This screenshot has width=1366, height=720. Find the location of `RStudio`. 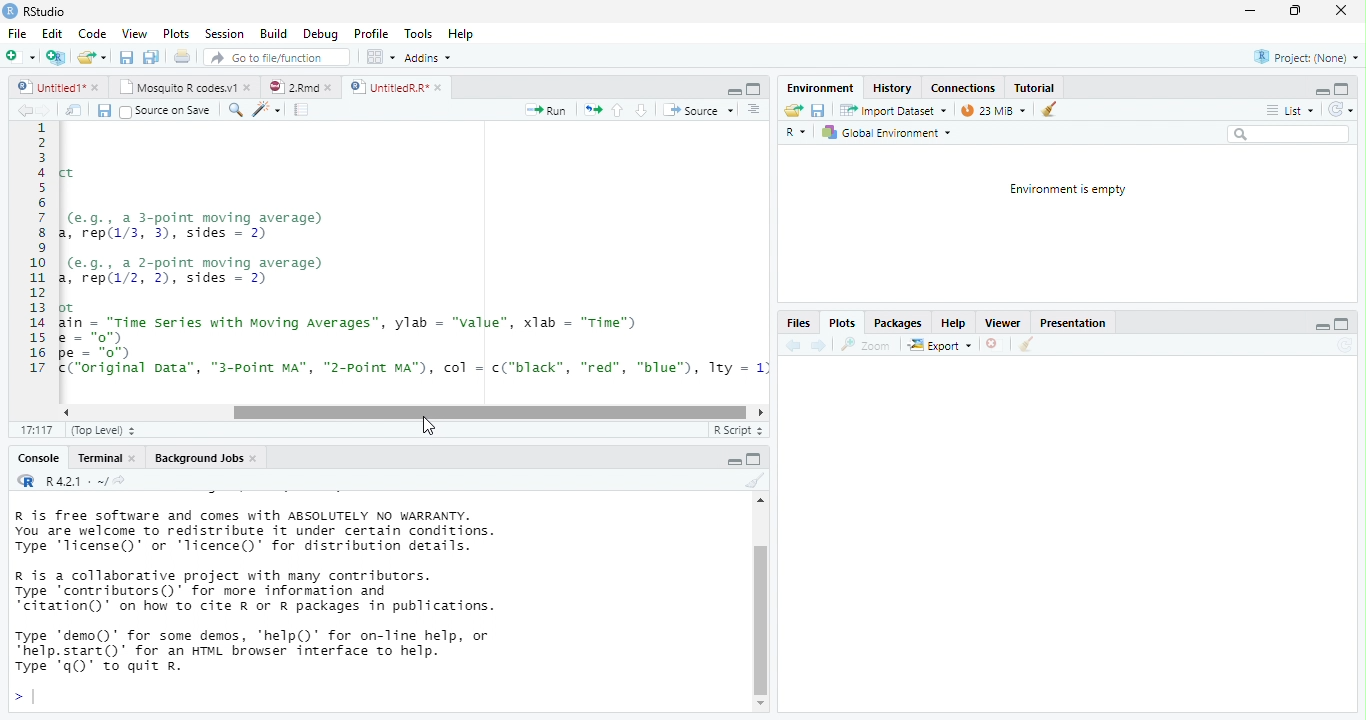

RStudio is located at coordinates (36, 10).